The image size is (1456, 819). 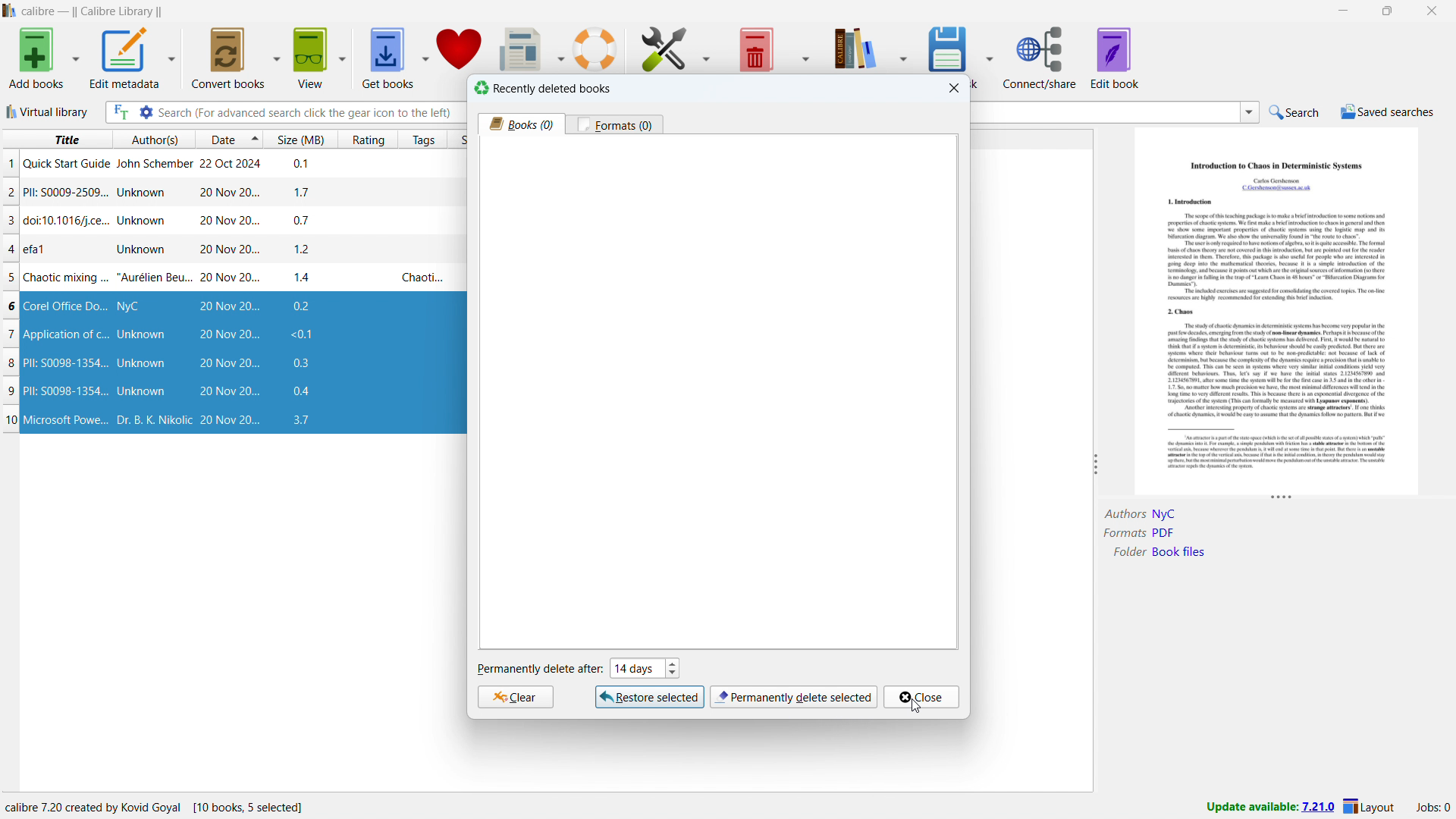 What do you see at coordinates (651, 697) in the screenshot?
I see `restore selcted` at bounding box center [651, 697].